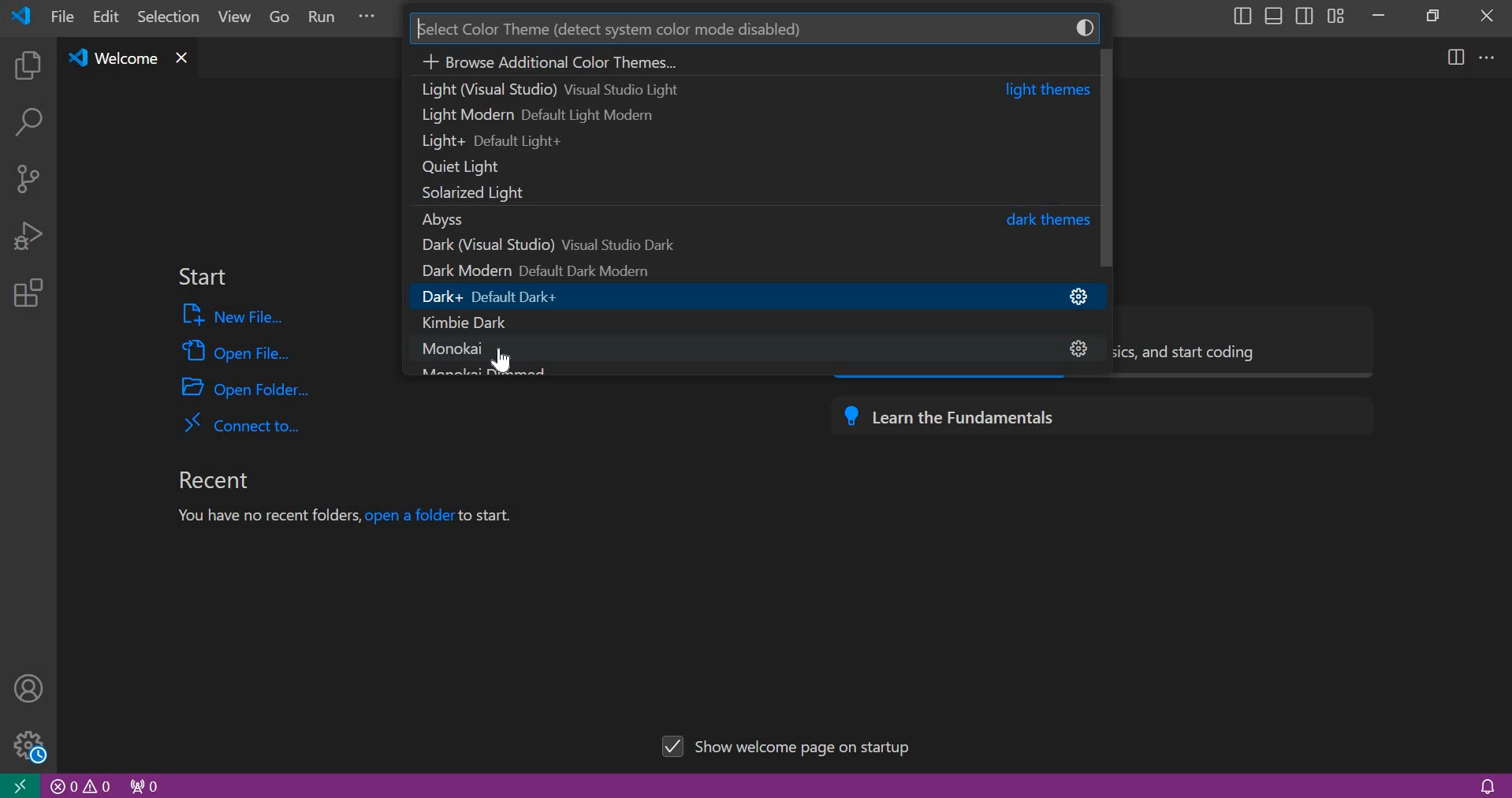 This screenshot has width=1512, height=798. What do you see at coordinates (352, 517) in the screenshot?
I see `you have no recent folders, open a folder to start` at bounding box center [352, 517].